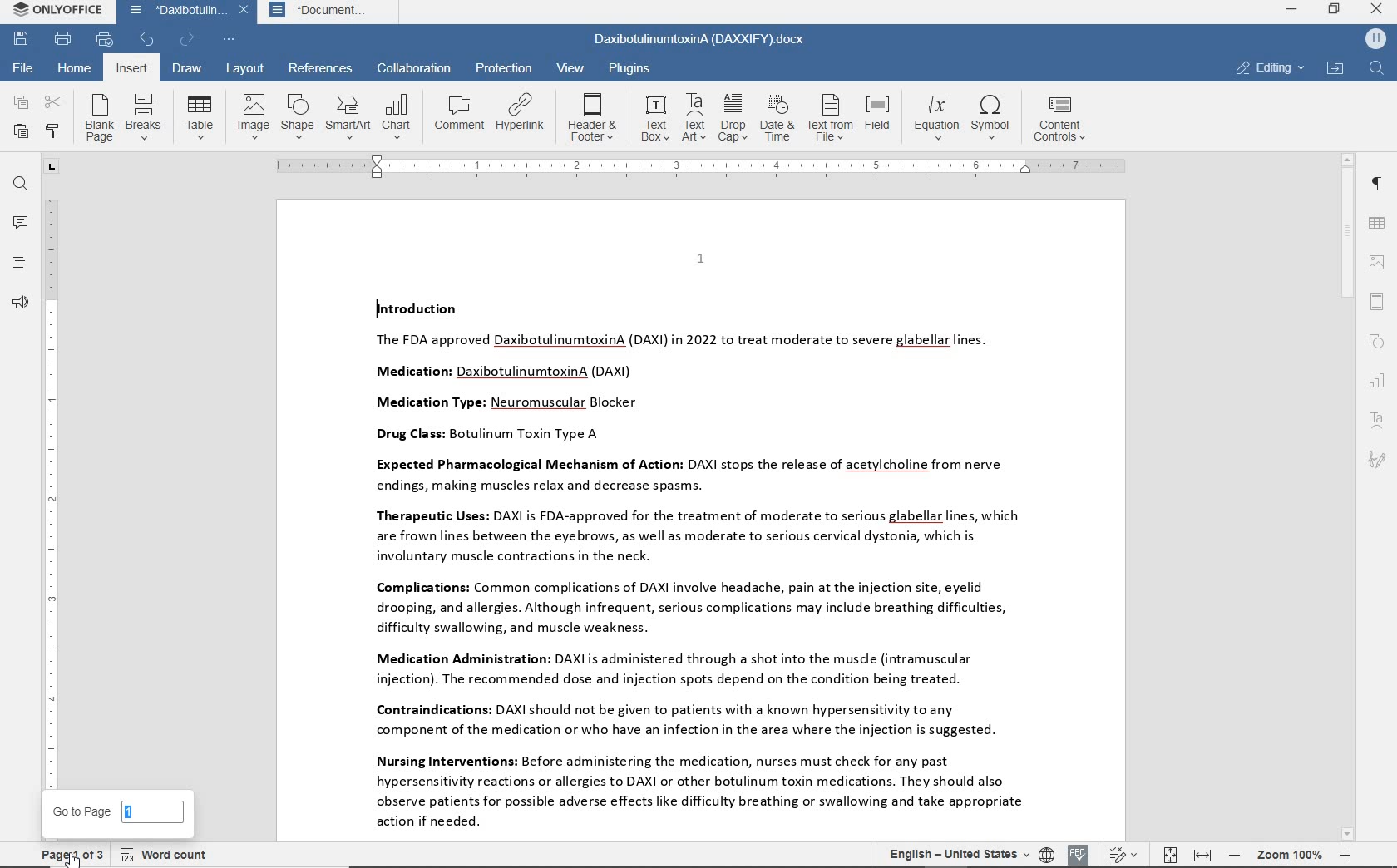 Image resolution: width=1397 pixels, height=868 pixels. I want to click on text from file, so click(830, 119).